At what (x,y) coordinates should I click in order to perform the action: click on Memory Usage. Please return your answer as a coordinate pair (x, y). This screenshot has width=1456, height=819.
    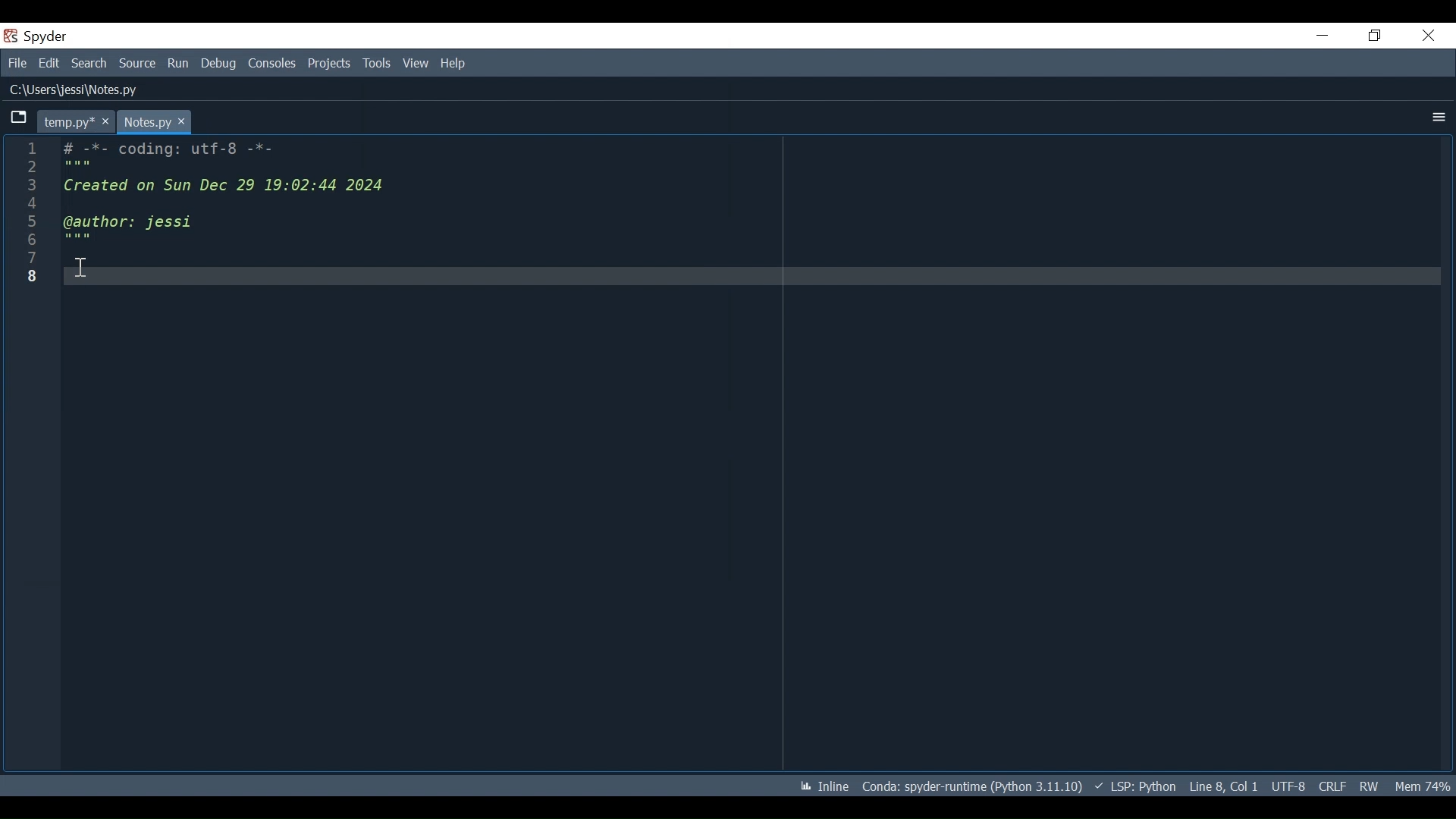
    Looking at the image, I should click on (1421, 785).